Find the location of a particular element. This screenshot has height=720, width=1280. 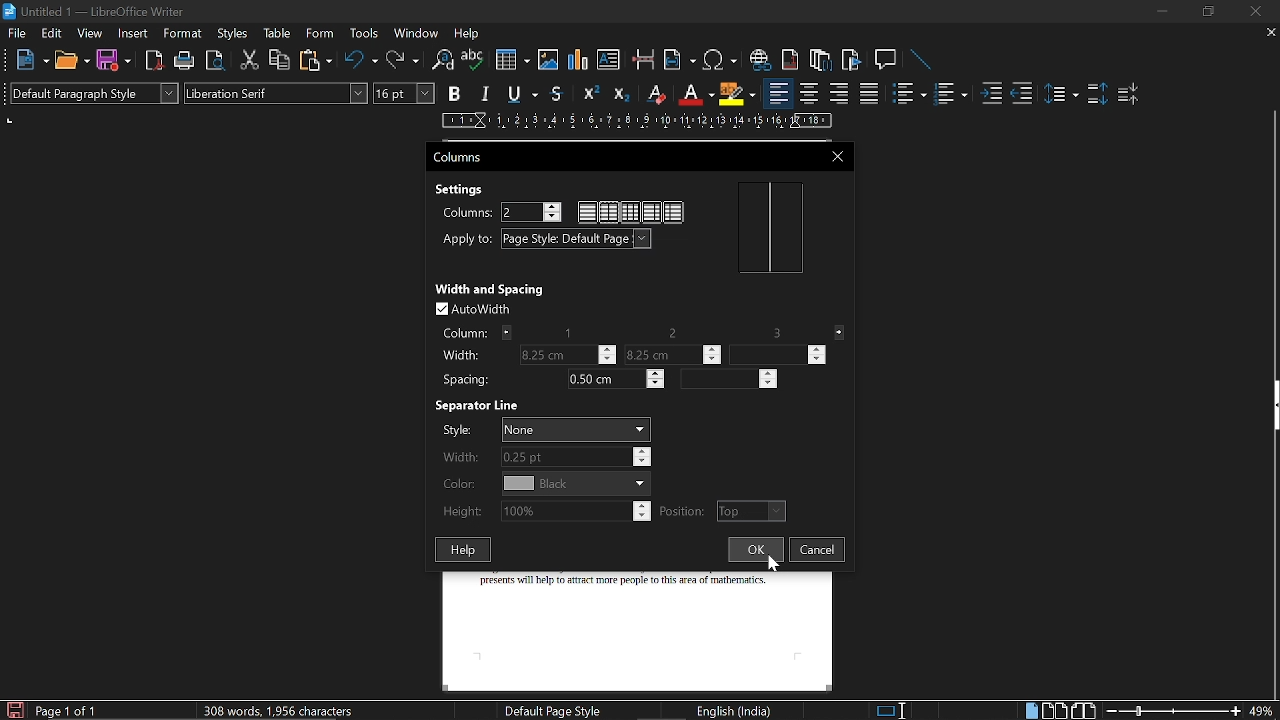

Eraser is located at coordinates (654, 94).